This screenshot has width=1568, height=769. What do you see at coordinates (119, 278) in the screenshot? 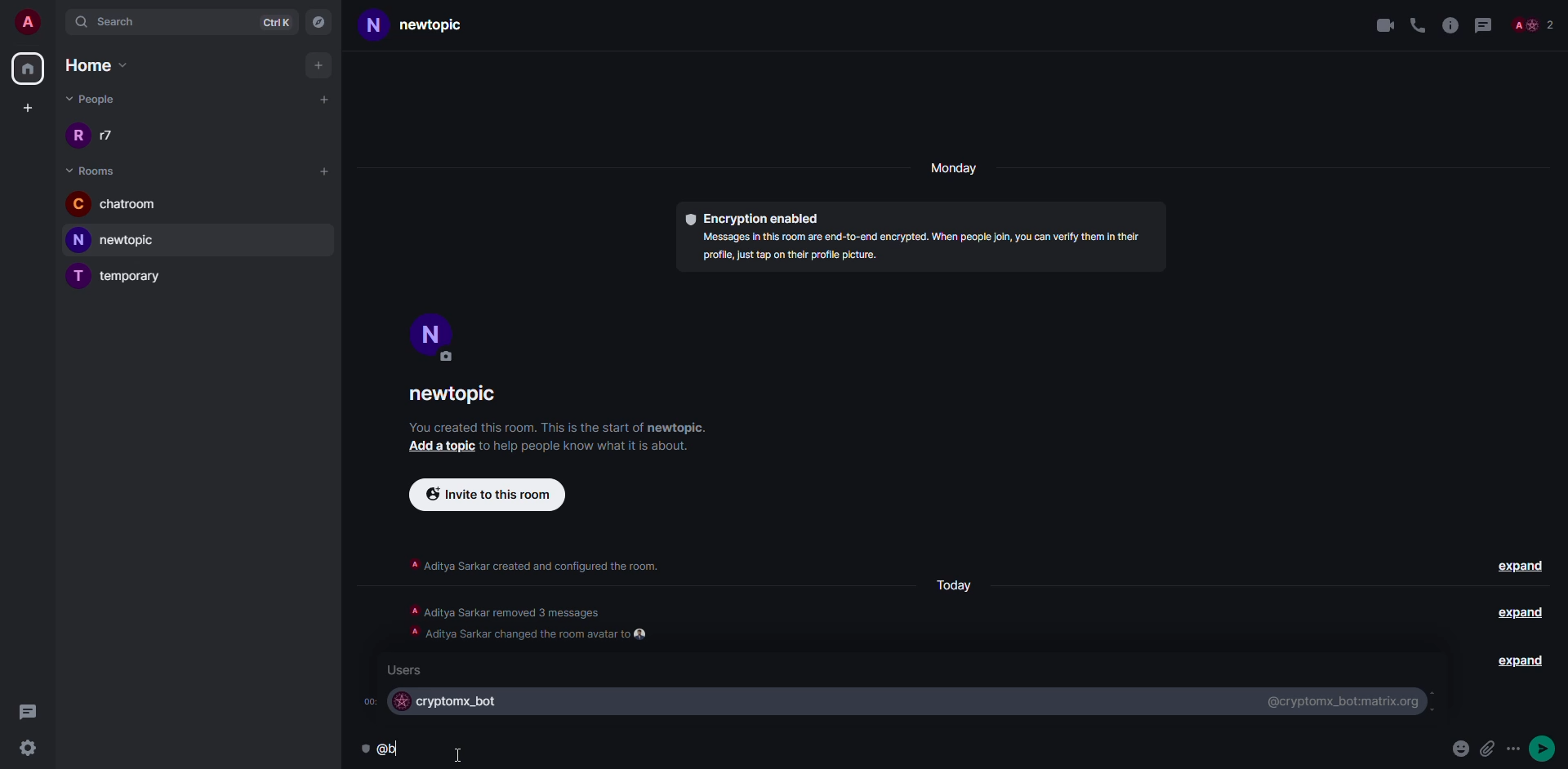
I see `temporary` at bounding box center [119, 278].